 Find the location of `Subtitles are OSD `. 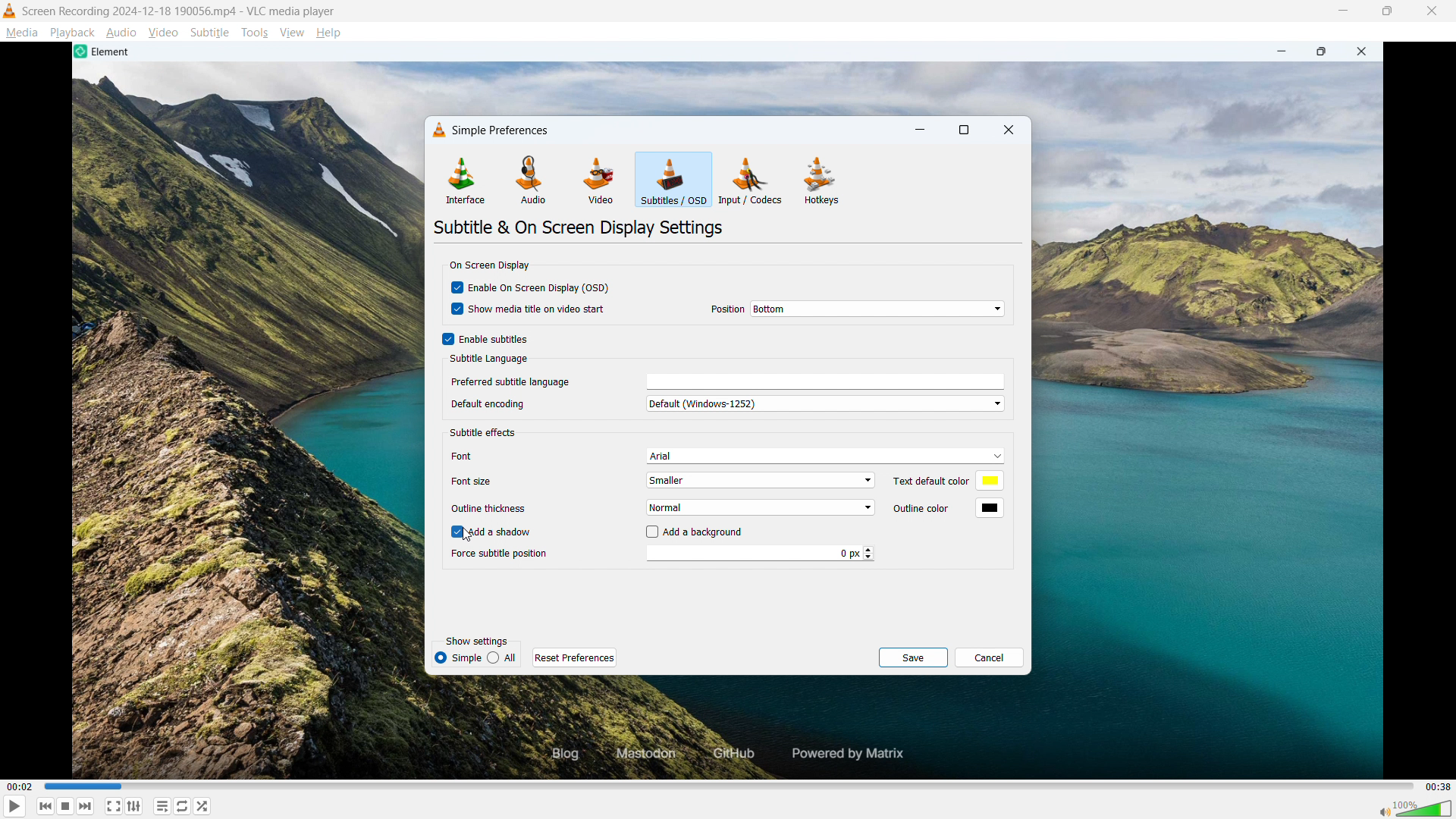

Subtitles are OSD  is located at coordinates (674, 179).